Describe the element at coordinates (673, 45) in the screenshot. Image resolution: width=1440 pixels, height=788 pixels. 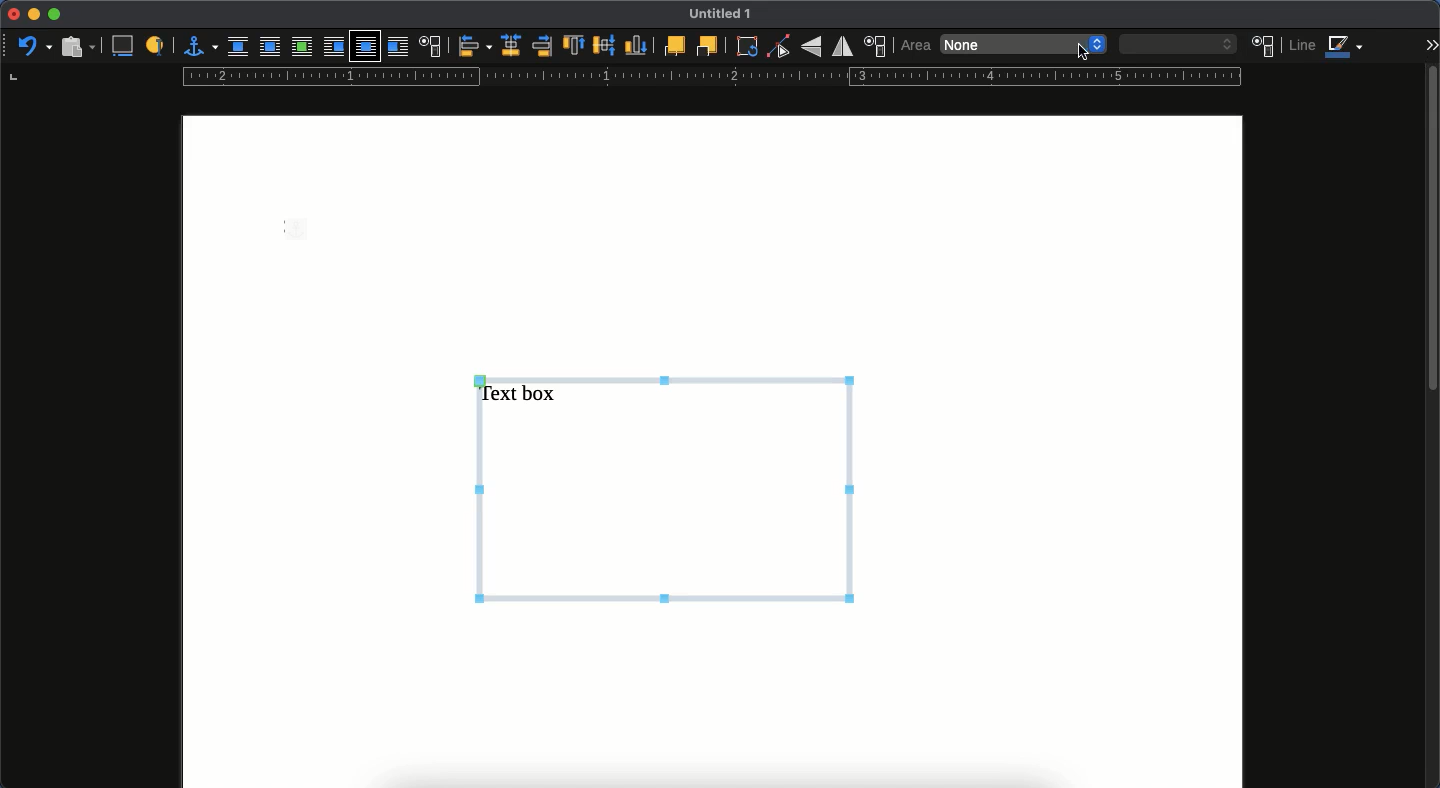
I see `front one` at that location.